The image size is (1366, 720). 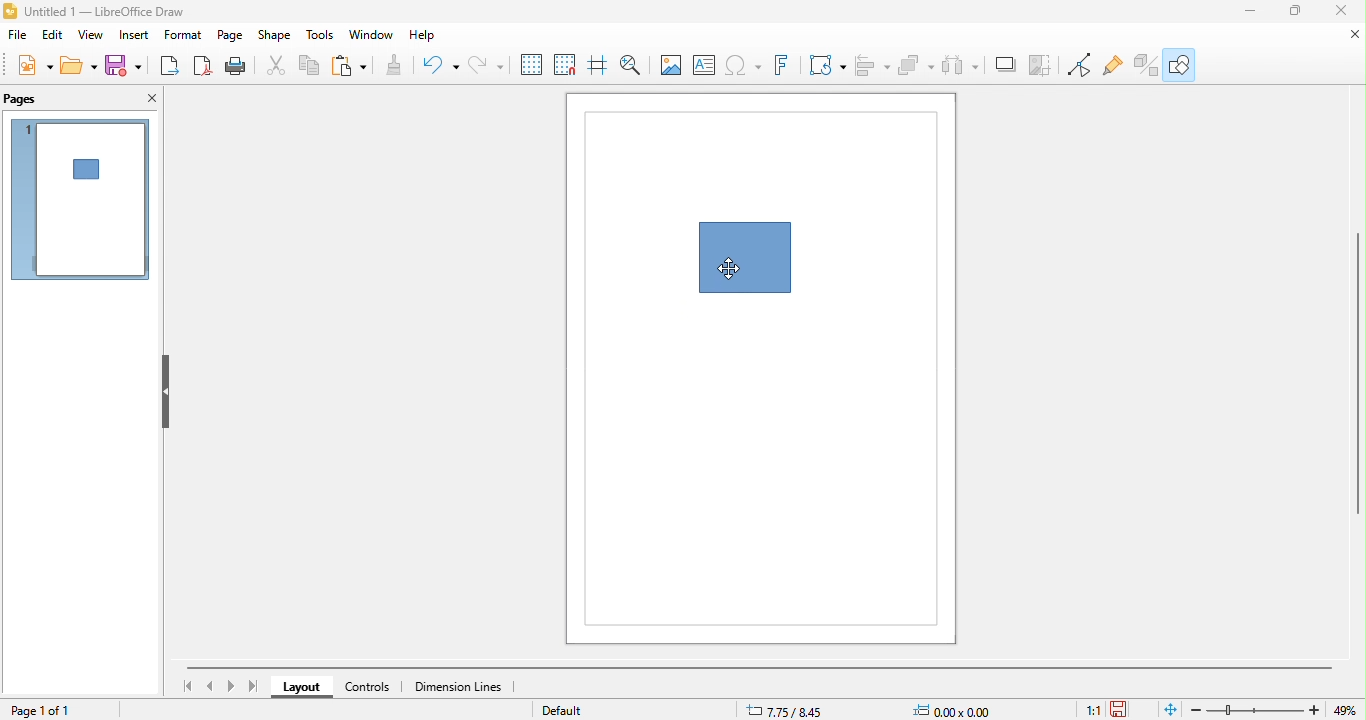 What do you see at coordinates (231, 686) in the screenshot?
I see `next page` at bounding box center [231, 686].